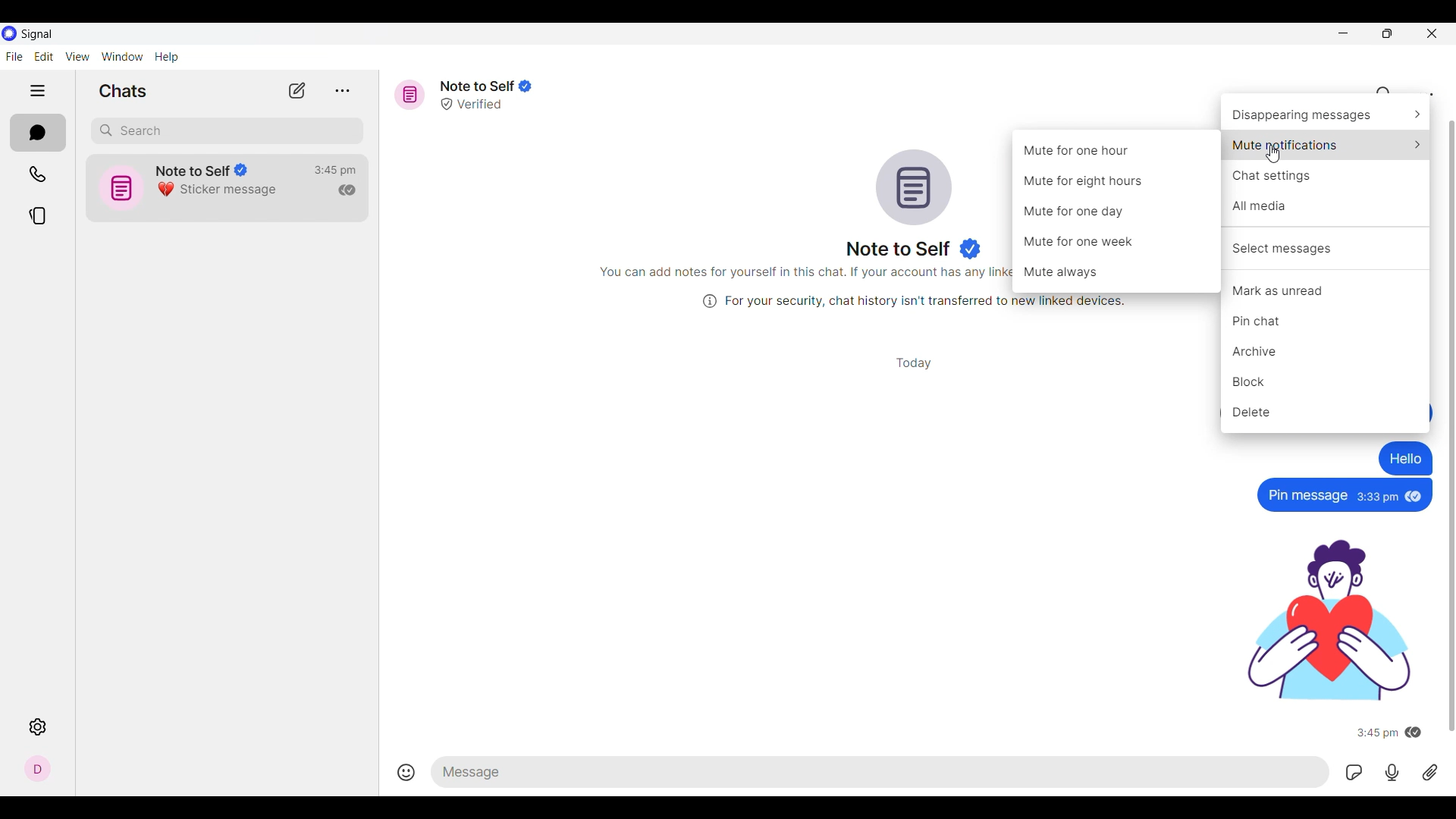 This screenshot has height=819, width=1456. What do you see at coordinates (971, 249) in the screenshot?
I see `Indicates verified user` at bounding box center [971, 249].